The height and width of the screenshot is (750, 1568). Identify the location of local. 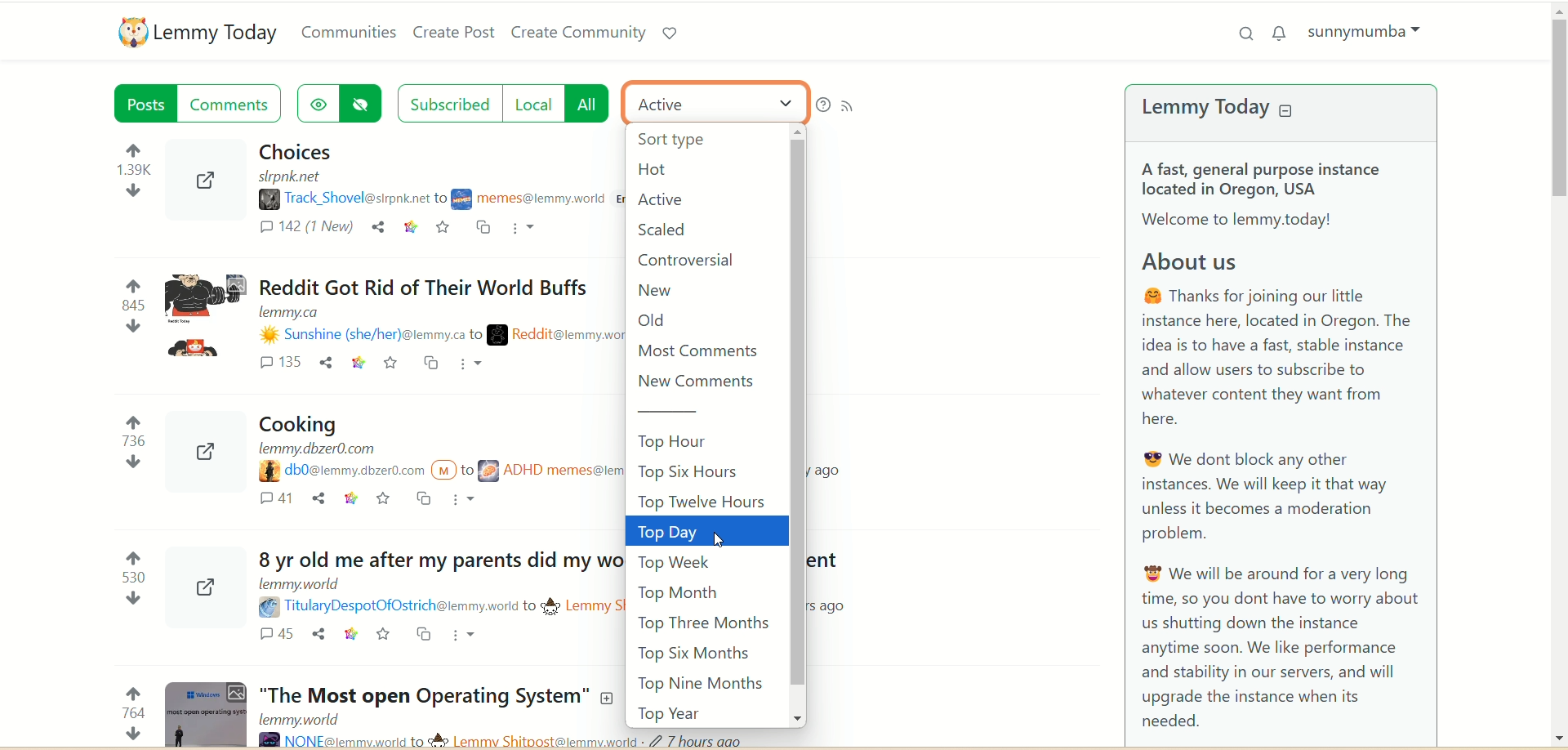
(537, 104).